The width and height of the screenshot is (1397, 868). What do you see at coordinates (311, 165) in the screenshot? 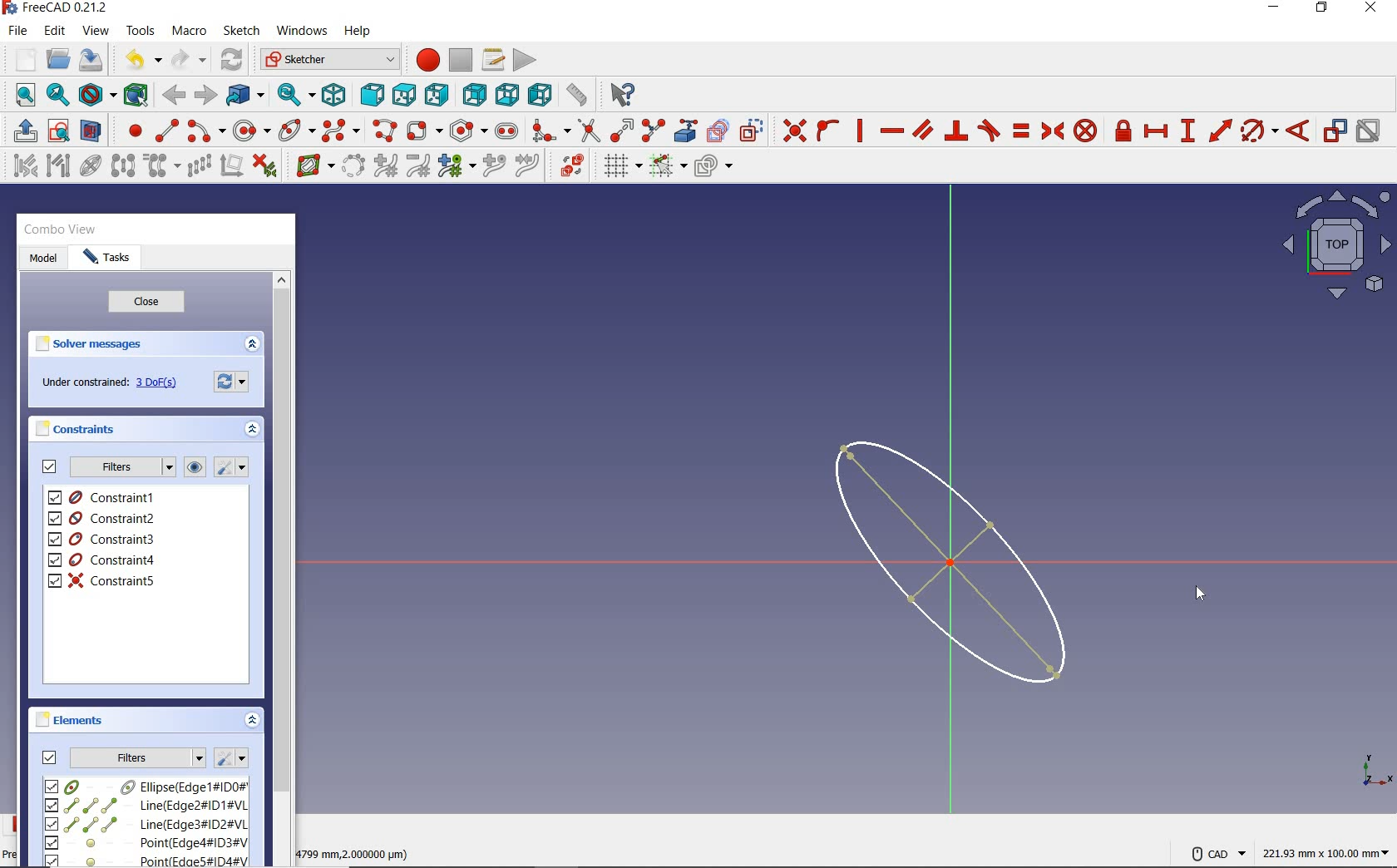
I see `show/hide B-spline information layer` at bounding box center [311, 165].